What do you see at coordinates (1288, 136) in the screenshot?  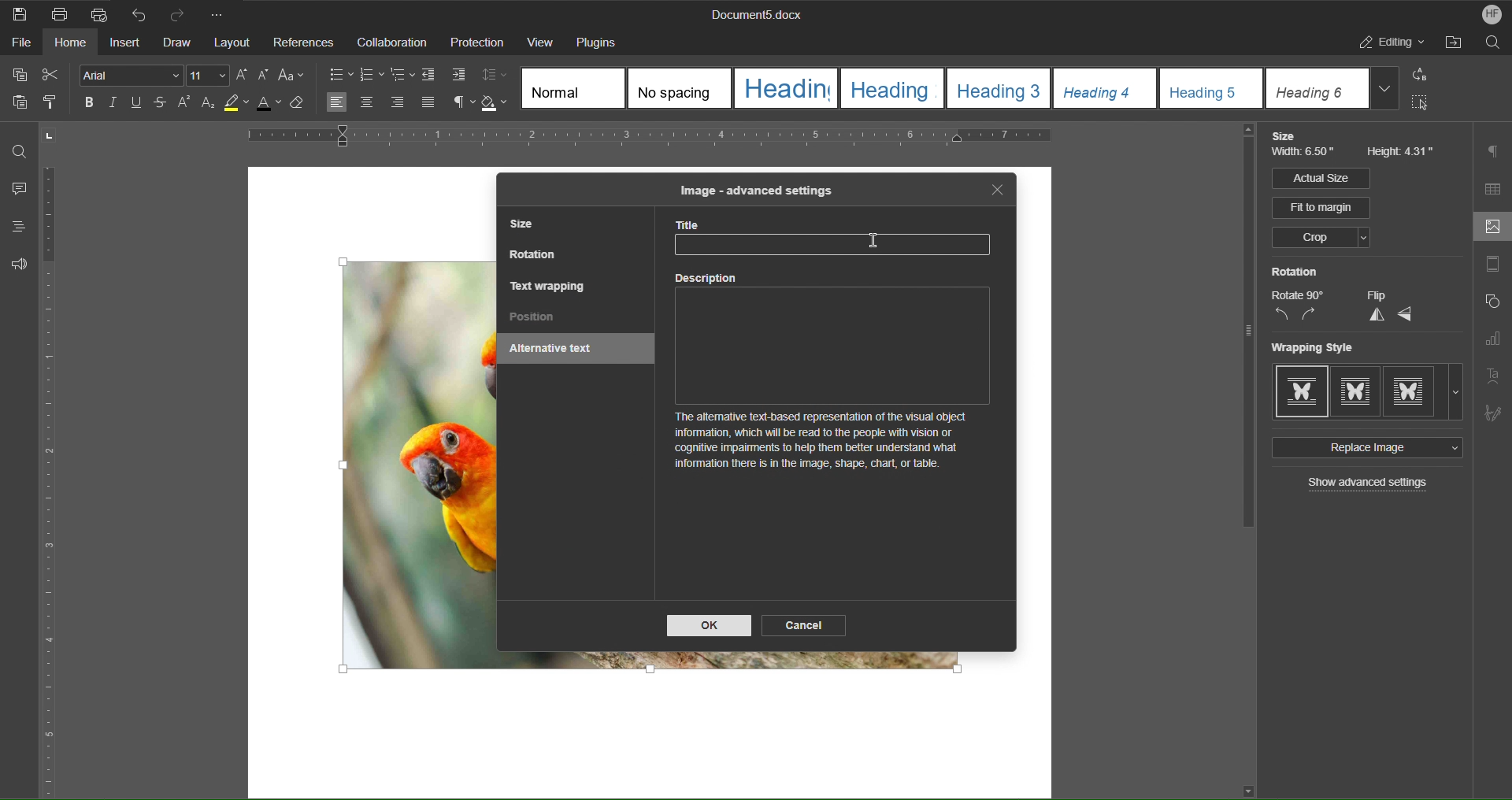 I see `Size` at bounding box center [1288, 136].